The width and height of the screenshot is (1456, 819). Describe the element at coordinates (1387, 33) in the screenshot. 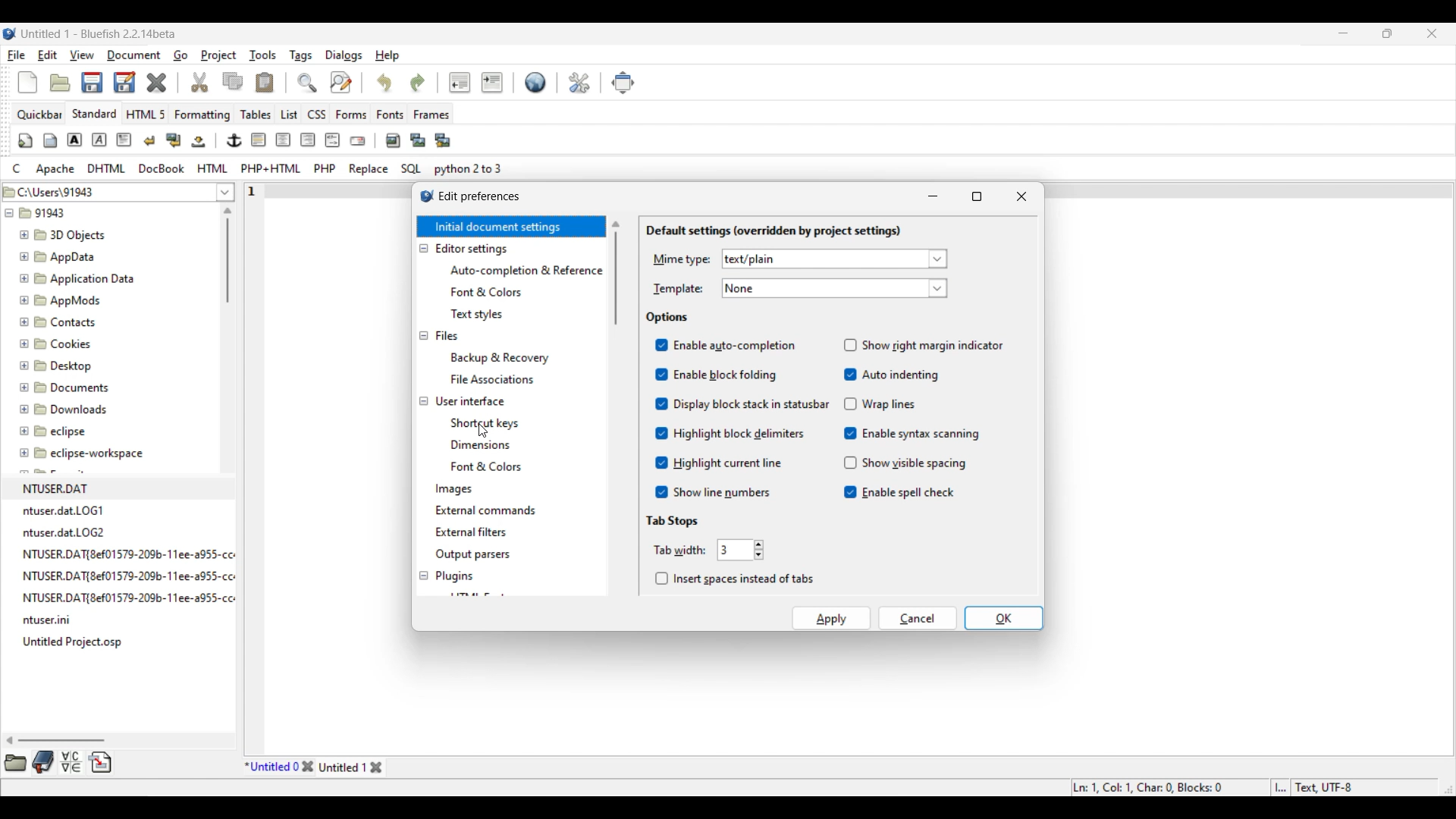

I see `Show in smaller tab` at that location.